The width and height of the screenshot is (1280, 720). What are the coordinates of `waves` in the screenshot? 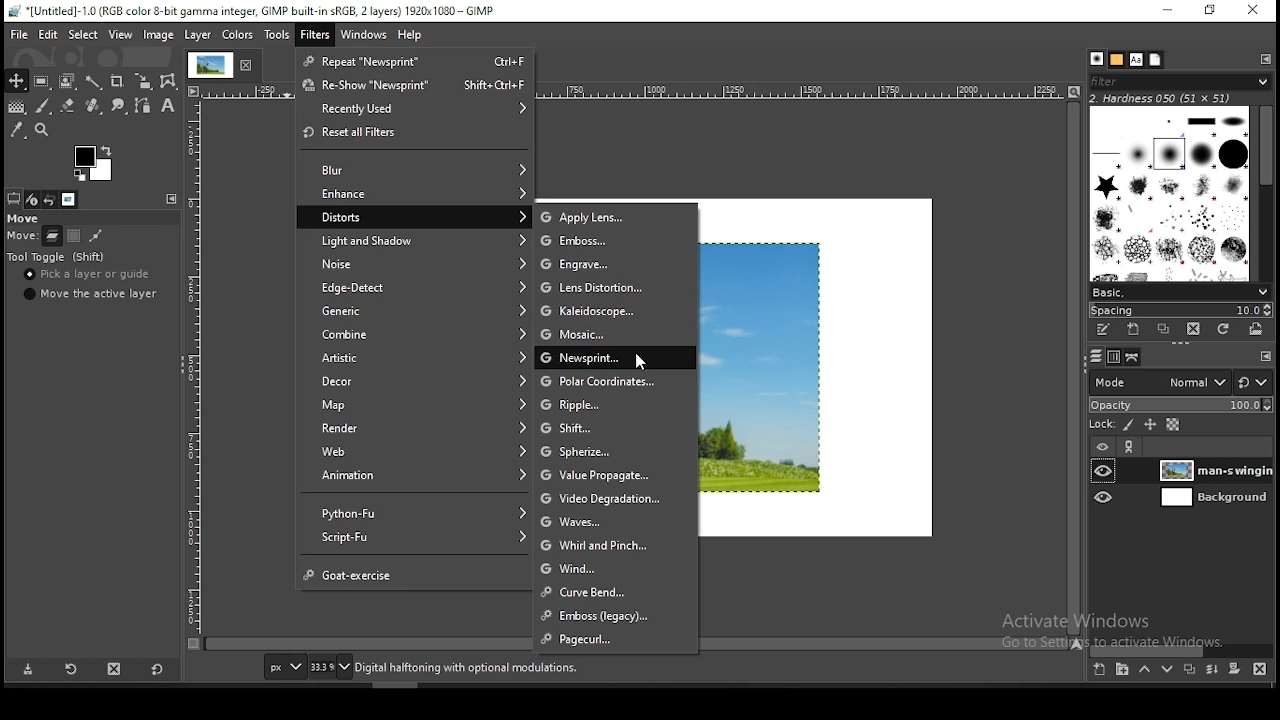 It's located at (614, 525).